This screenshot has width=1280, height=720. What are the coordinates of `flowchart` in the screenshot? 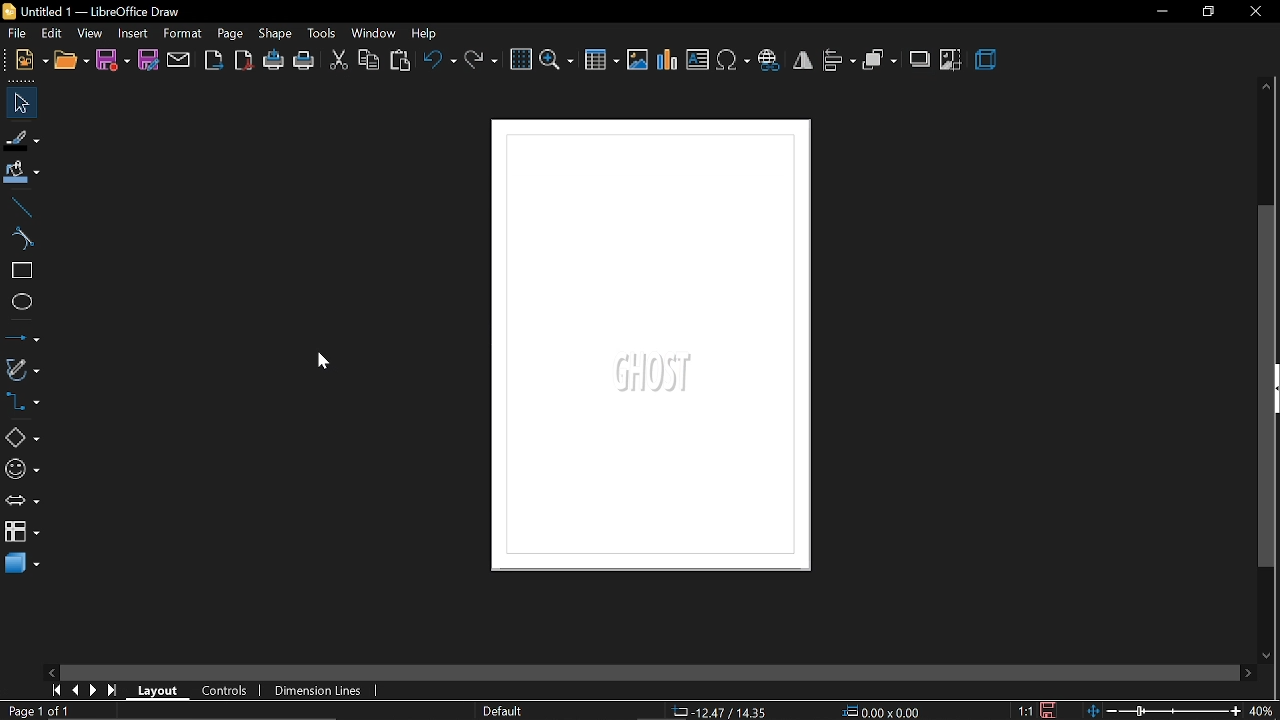 It's located at (22, 531).